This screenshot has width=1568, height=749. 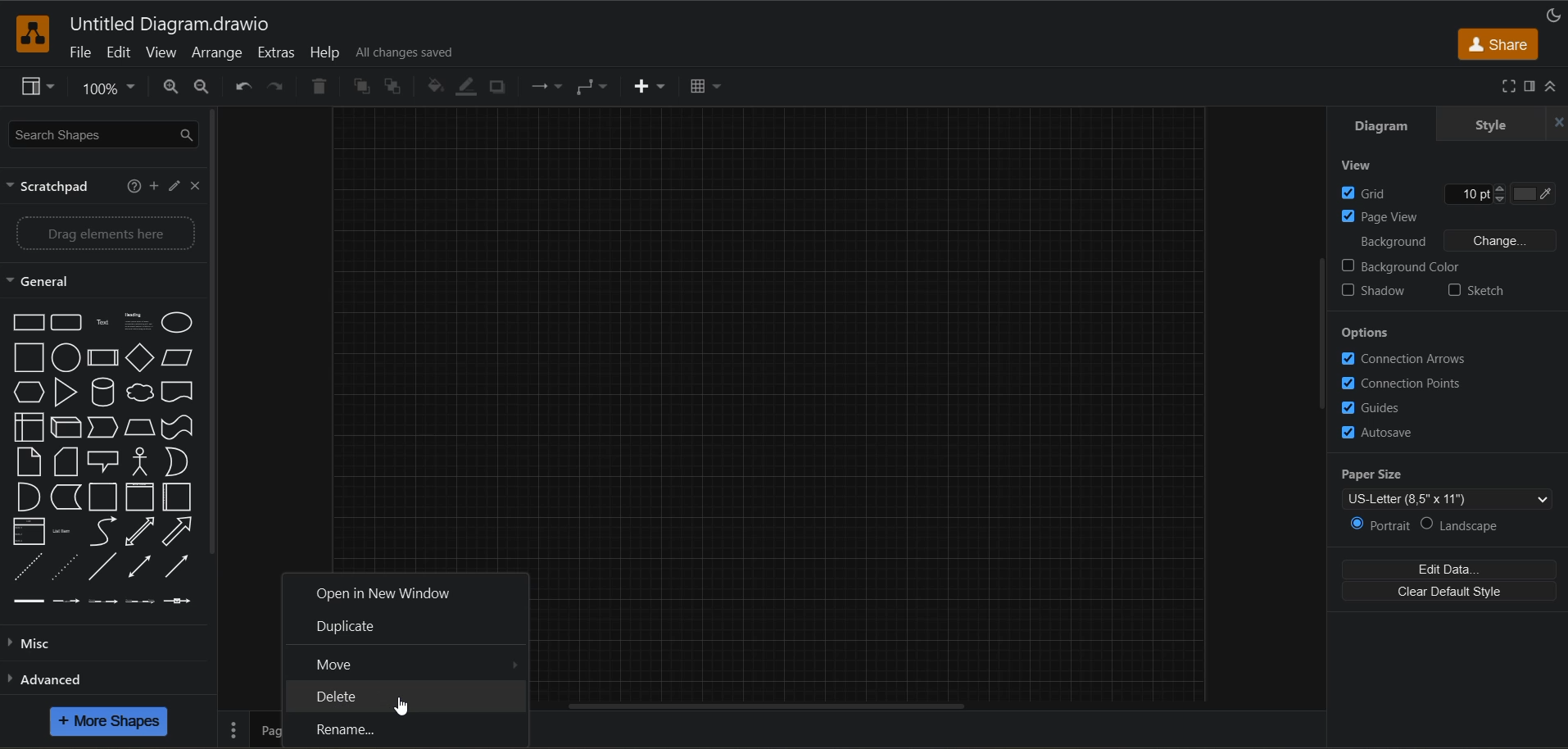 I want to click on file name - Untitled Diagram.drawio, so click(x=229, y=23).